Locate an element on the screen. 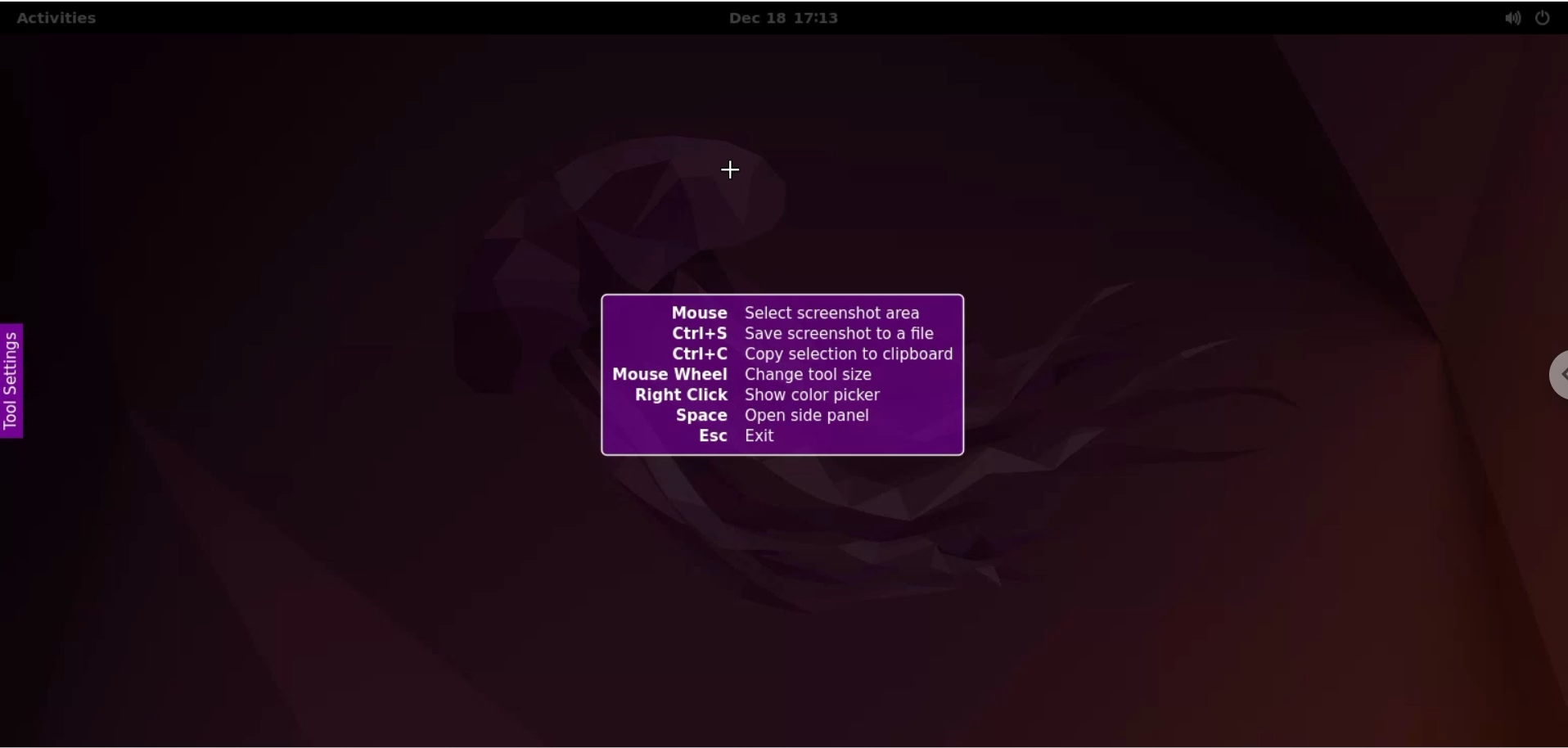 Image resolution: width=1568 pixels, height=748 pixels. settings is located at coordinates (13, 380).